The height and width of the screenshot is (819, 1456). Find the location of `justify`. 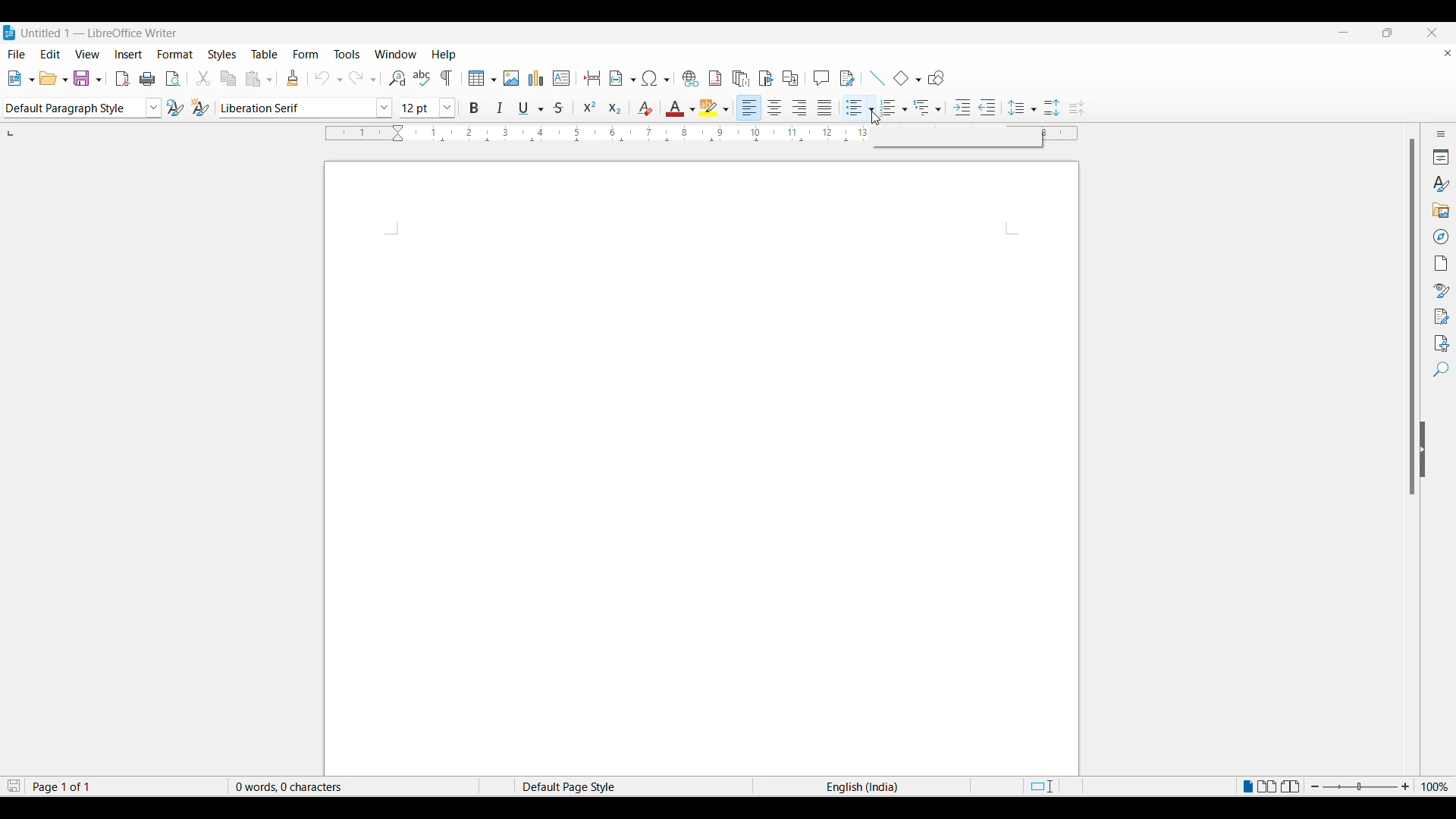

justify is located at coordinates (827, 106).